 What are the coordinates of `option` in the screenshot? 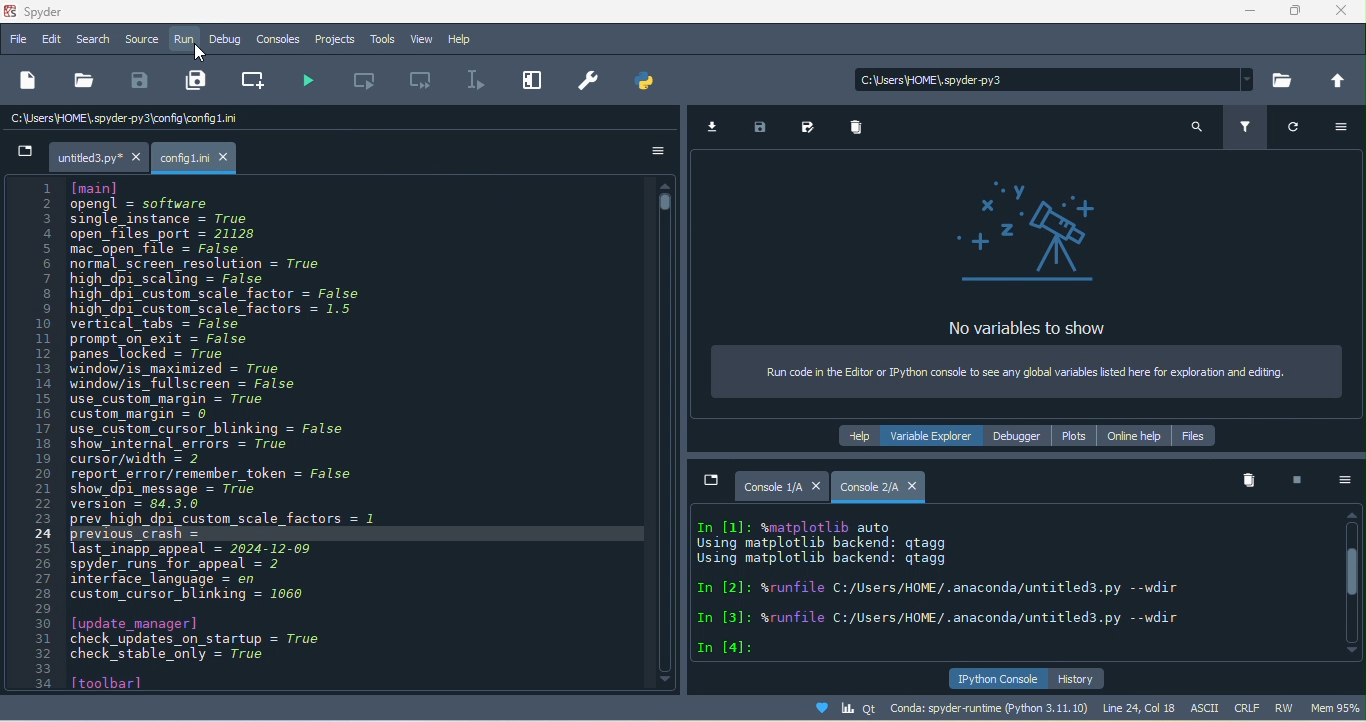 It's located at (1341, 482).